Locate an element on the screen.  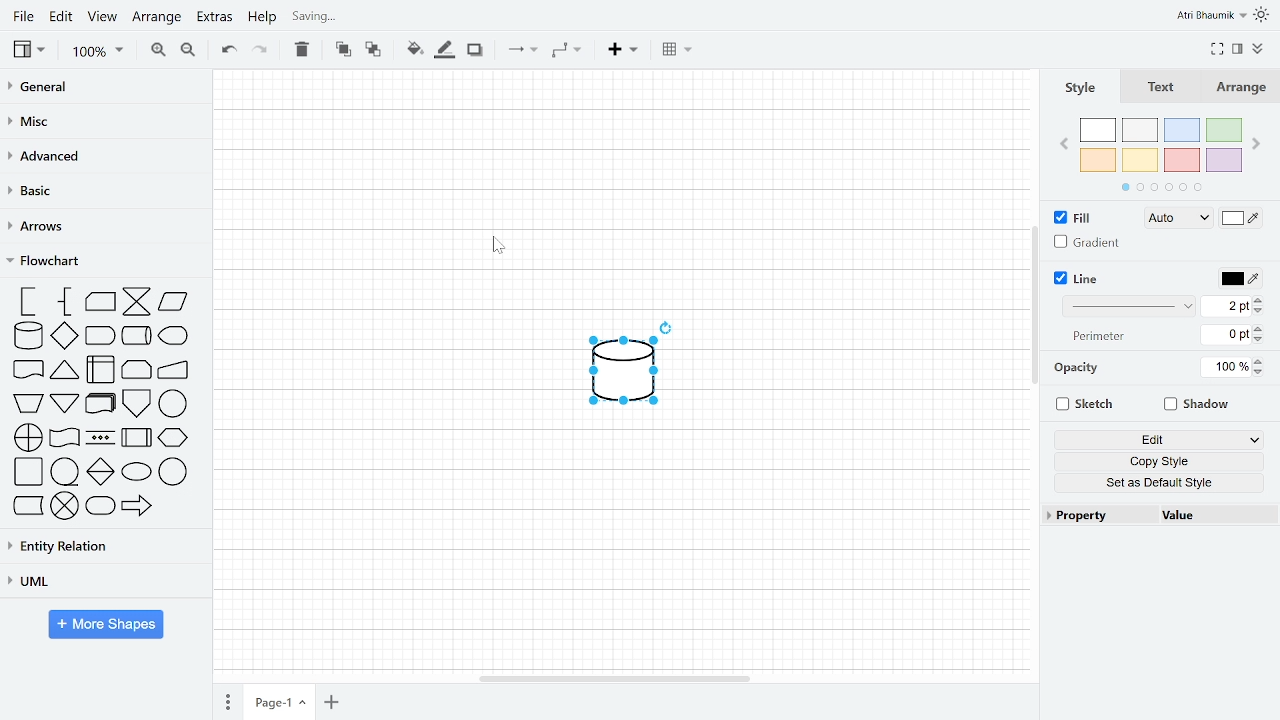
Table is located at coordinates (676, 49).